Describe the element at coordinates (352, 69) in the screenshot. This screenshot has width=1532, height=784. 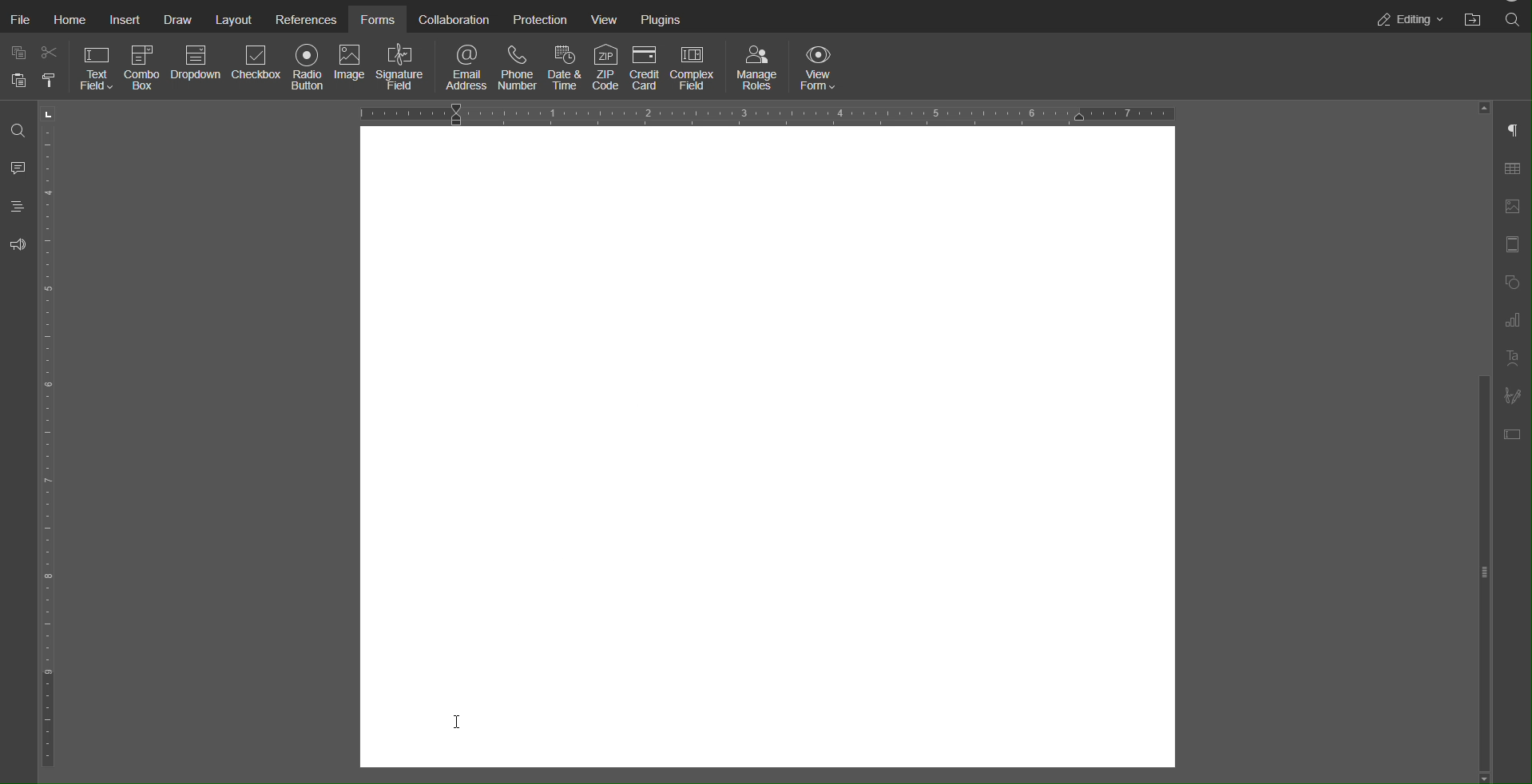
I see `Image` at that location.